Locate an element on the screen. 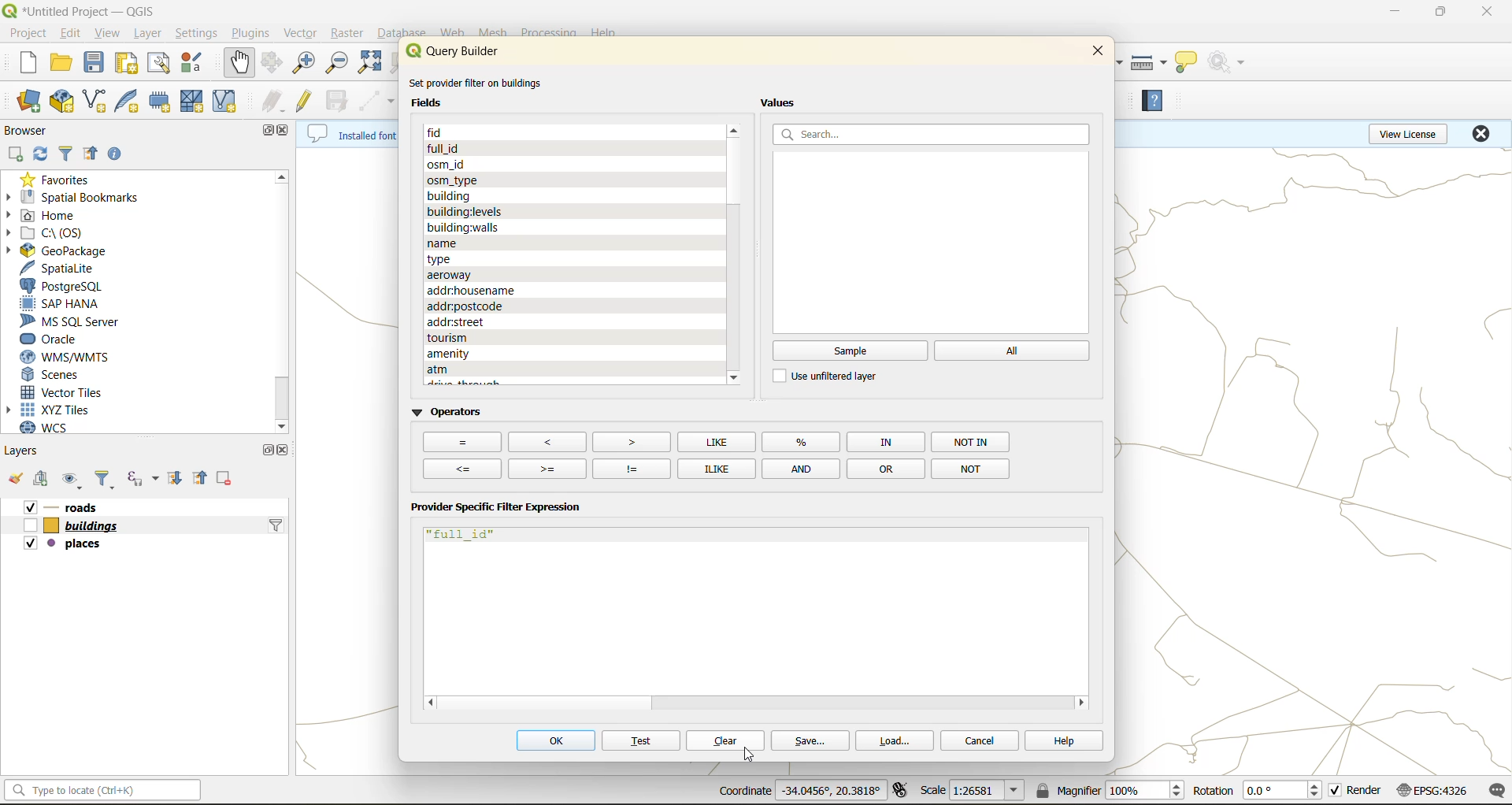 The width and height of the screenshot is (1512, 805). filter is located at coordinates (100, 478).